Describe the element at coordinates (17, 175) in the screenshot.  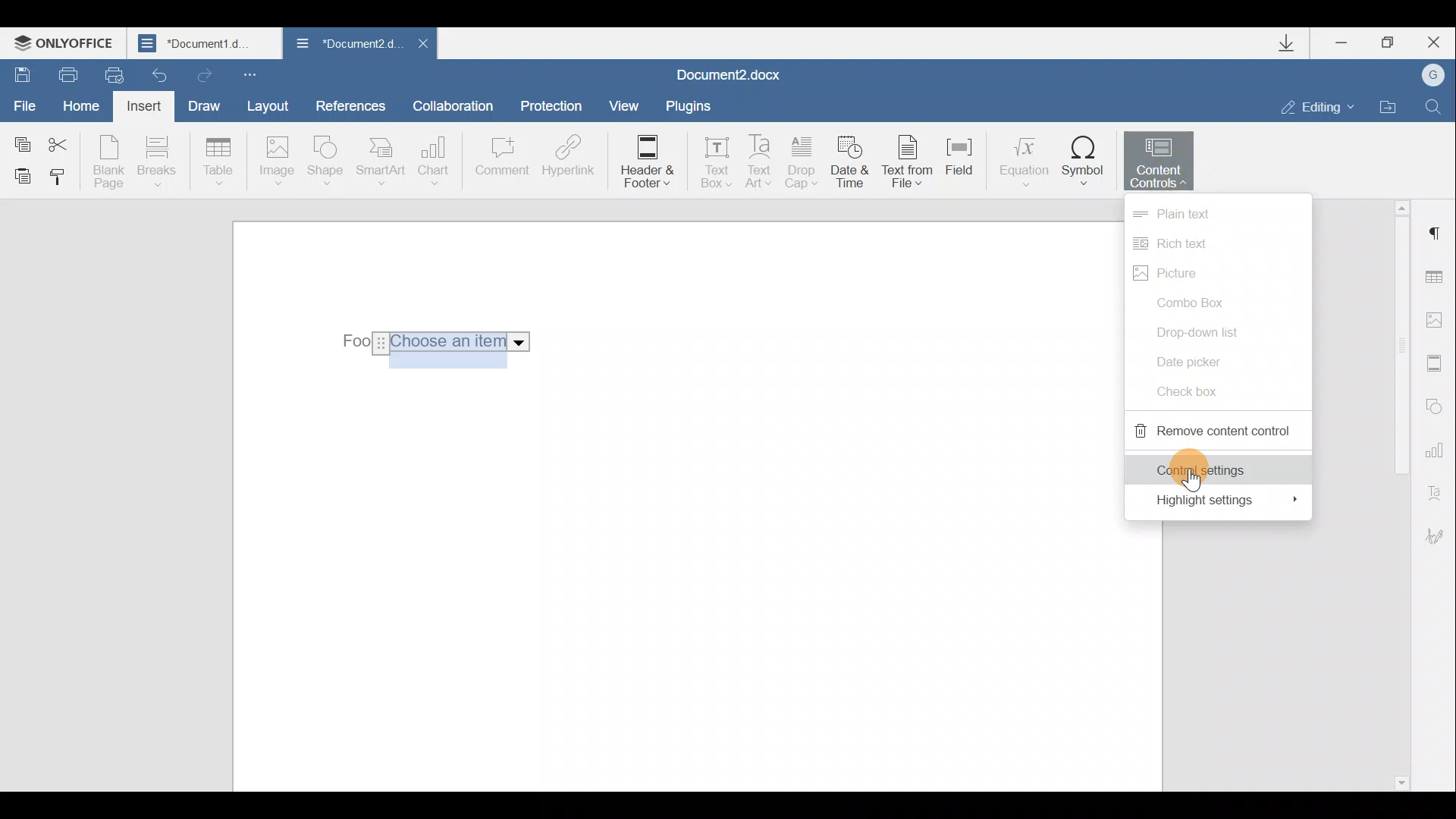
I see `Paste` at that location.